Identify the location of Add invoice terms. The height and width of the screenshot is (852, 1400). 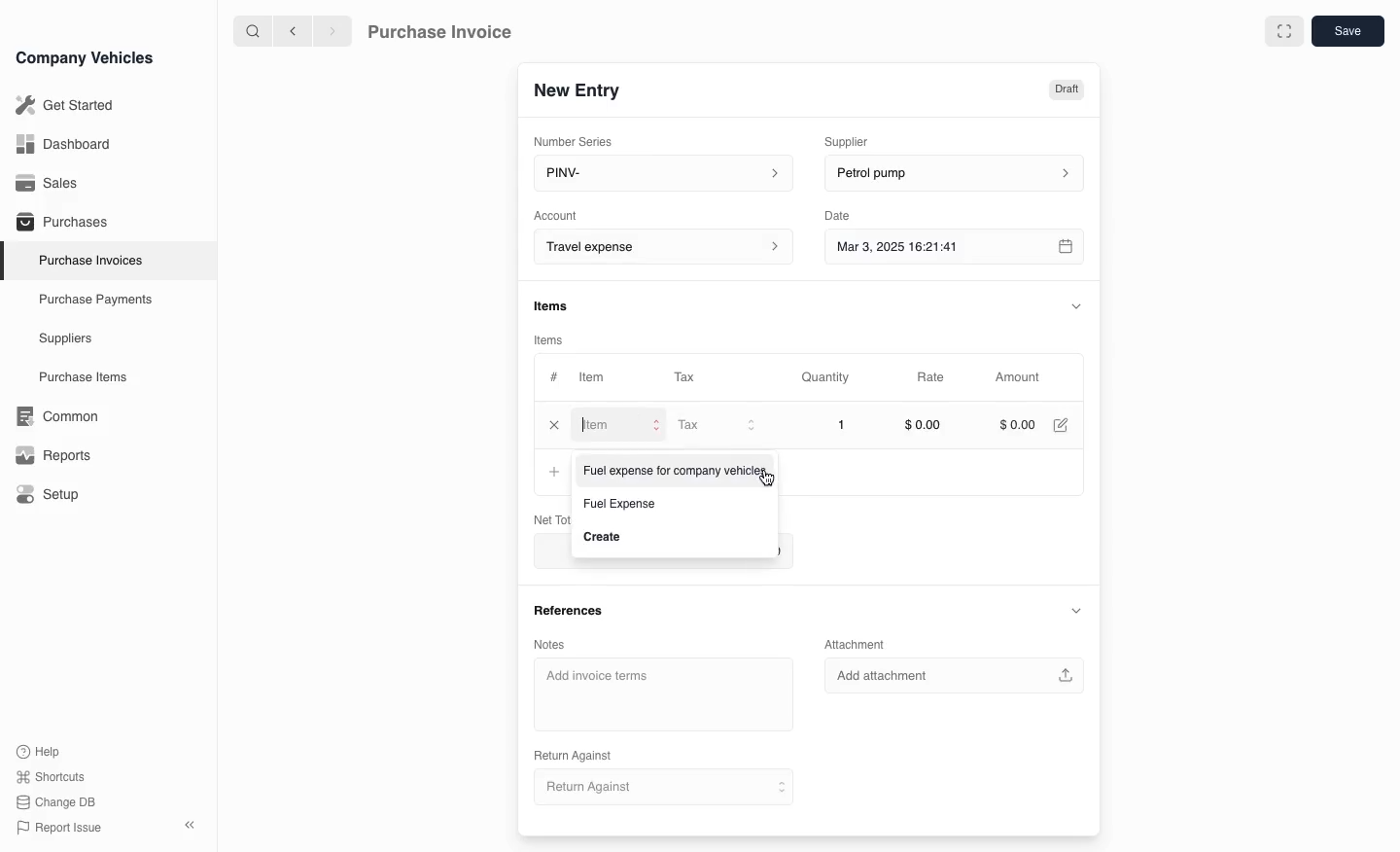
(664, 695).